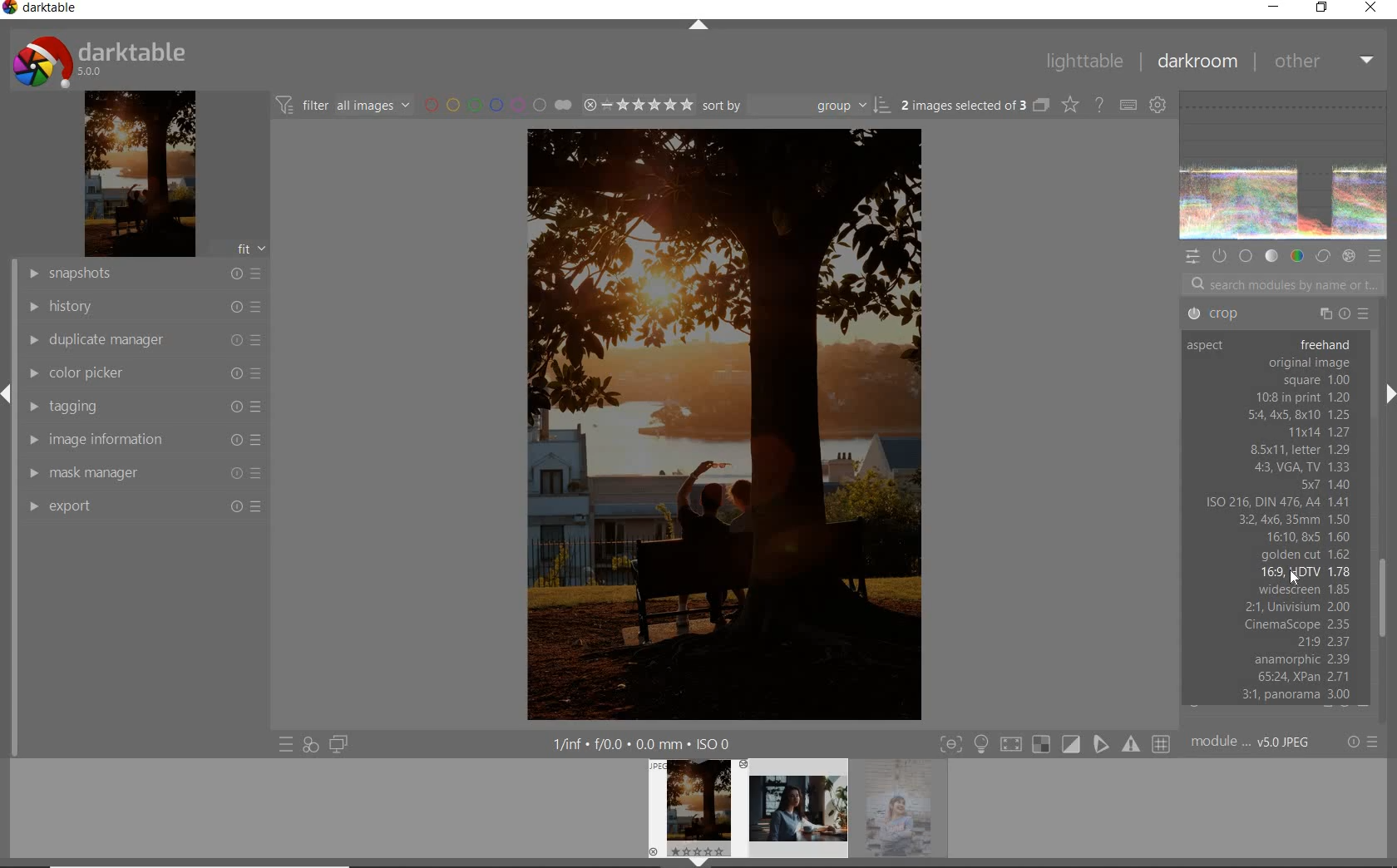  Describe the element at coordinates (1283, 167) in the screenshot. I see `waveform` at that location.